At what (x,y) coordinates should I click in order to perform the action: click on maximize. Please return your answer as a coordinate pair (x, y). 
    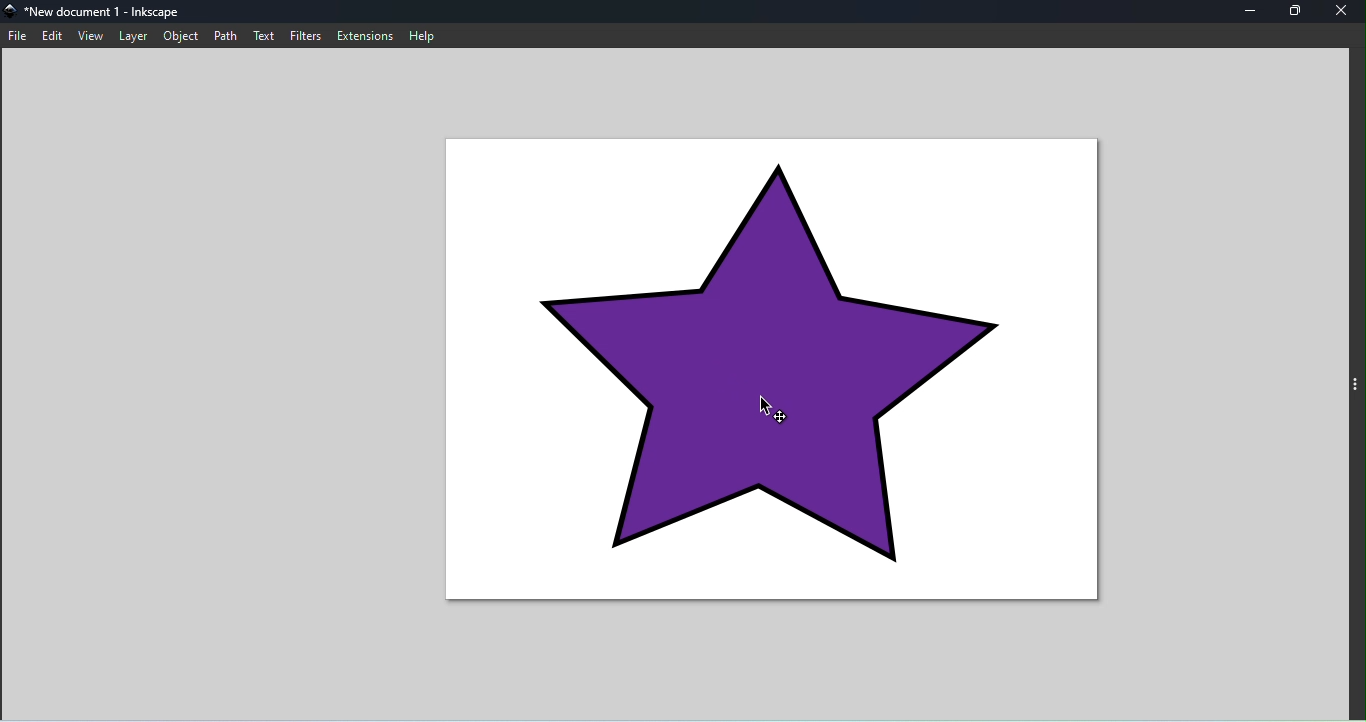
    Looking at the image, I should click on (1295, 12).